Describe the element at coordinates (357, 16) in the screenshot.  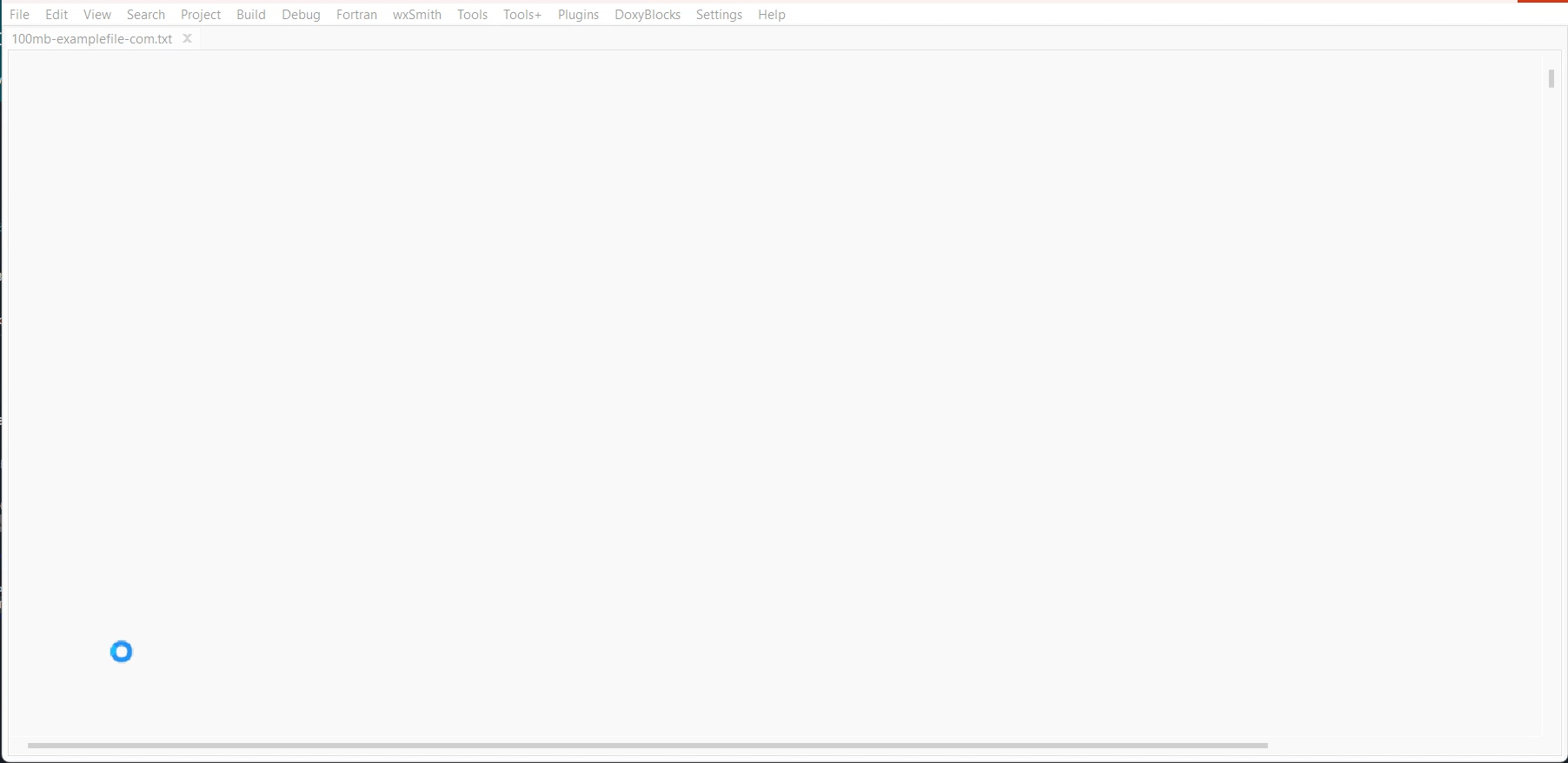
I see `Fortran` at that location.